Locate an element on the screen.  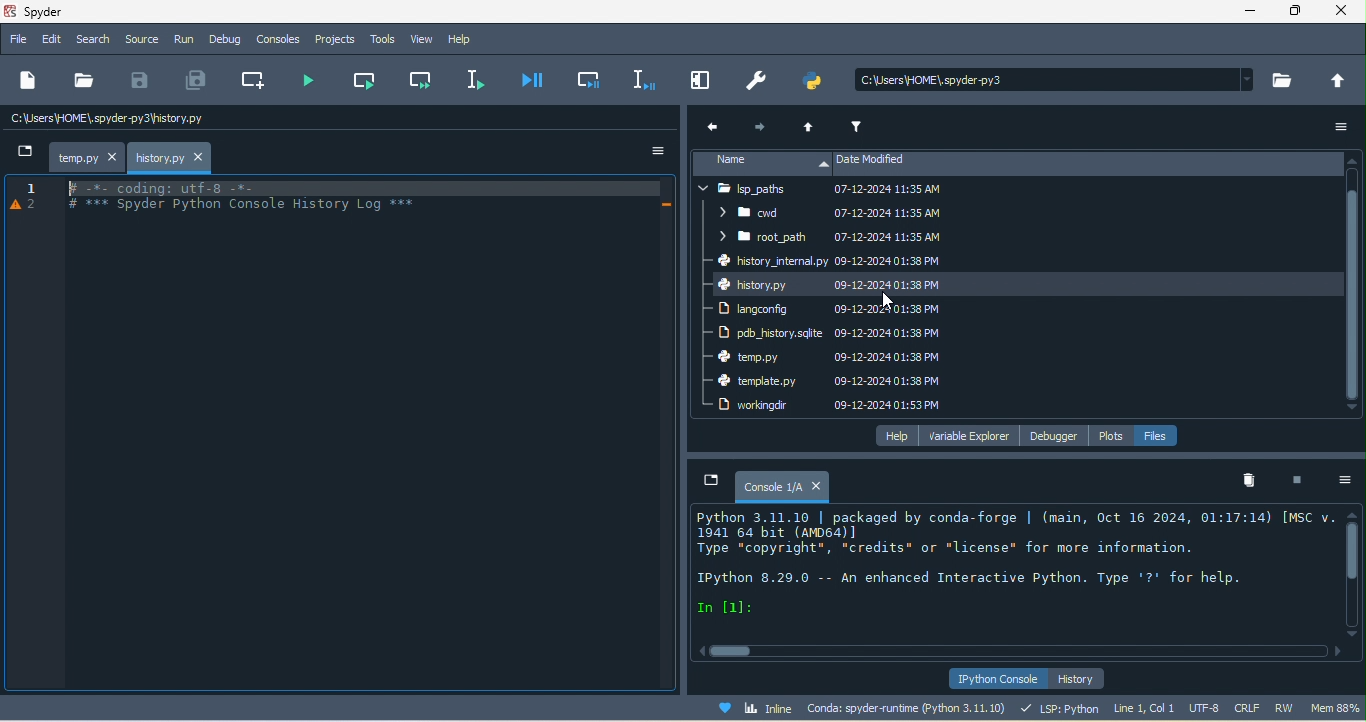
option is located at coordinates (656, 152).